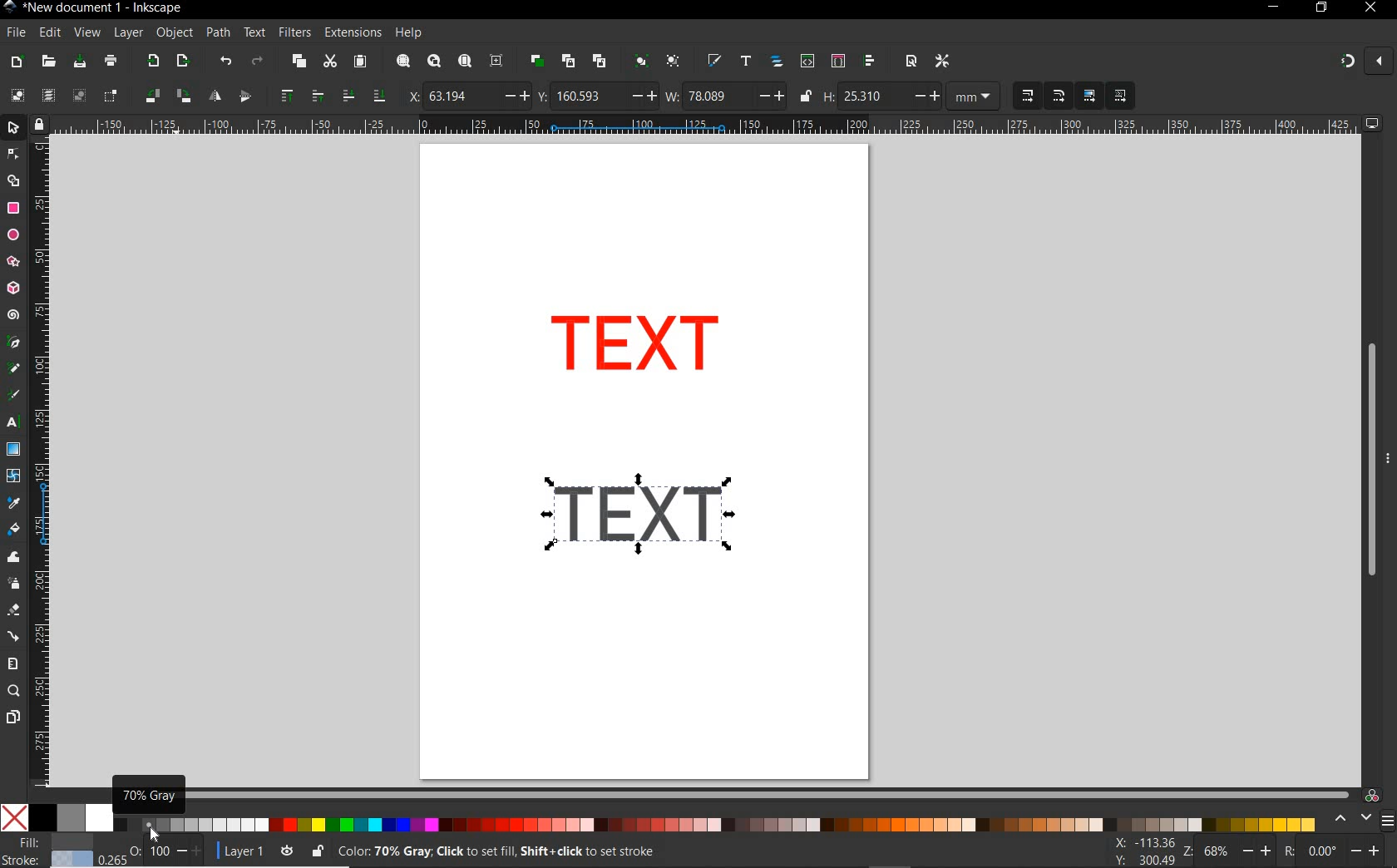 This screenshot has width=1397, height=868. Describe the element at coordinates (1370, 460) in the screenshot. I see `scrollbar` at that location.